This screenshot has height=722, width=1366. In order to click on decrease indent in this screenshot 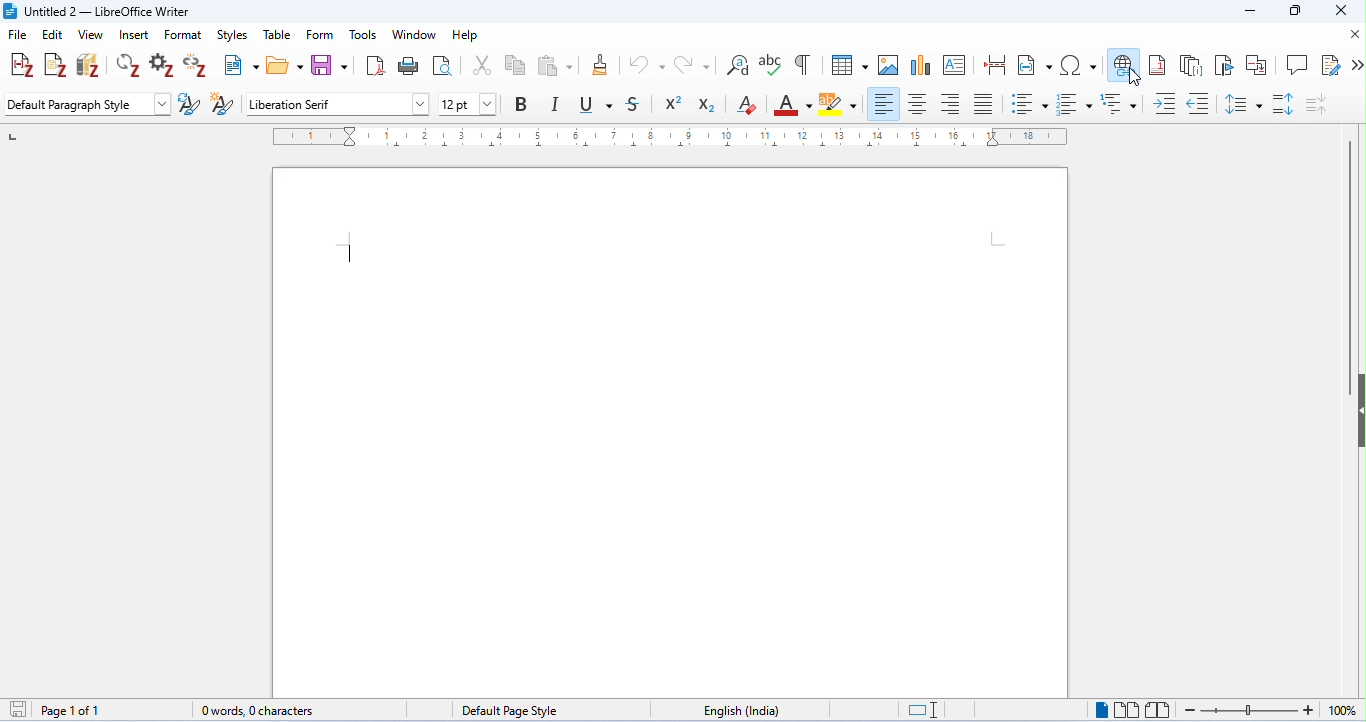, I will do `click(1200, 102)`.